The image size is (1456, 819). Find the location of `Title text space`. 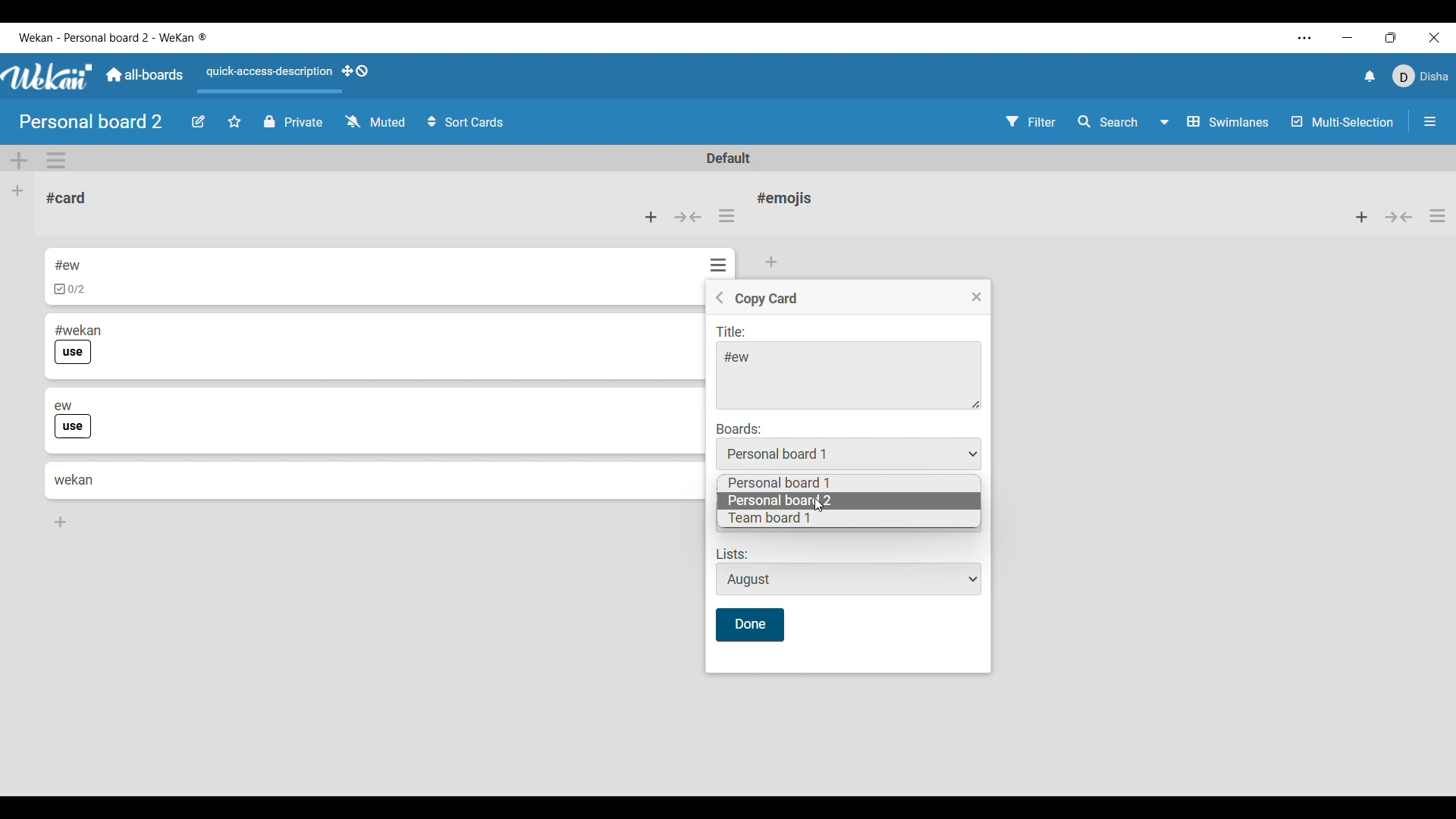

Title text space is located at coordinates (842, 377).